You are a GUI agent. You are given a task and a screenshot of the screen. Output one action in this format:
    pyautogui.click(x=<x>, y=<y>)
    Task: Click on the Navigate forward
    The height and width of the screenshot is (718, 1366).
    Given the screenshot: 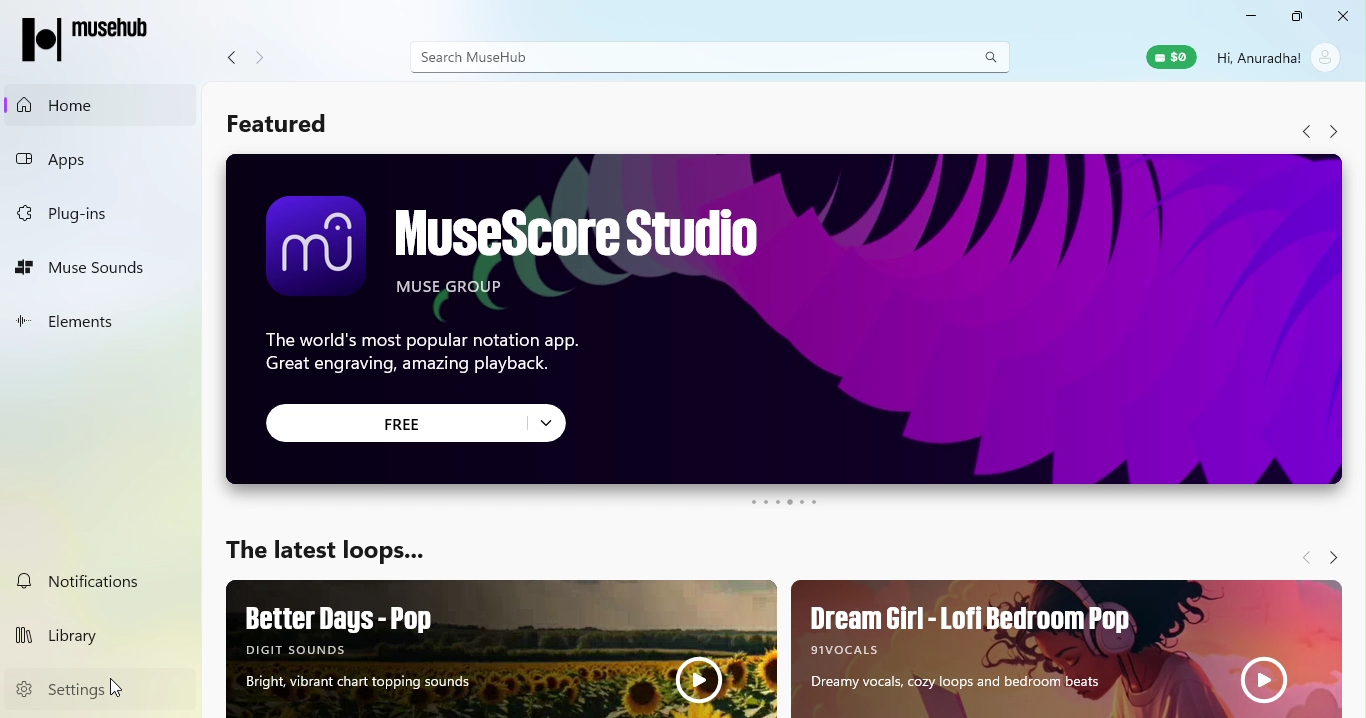 What is the action you would take?
    pyautogui.click(x=1332, y=556)
    